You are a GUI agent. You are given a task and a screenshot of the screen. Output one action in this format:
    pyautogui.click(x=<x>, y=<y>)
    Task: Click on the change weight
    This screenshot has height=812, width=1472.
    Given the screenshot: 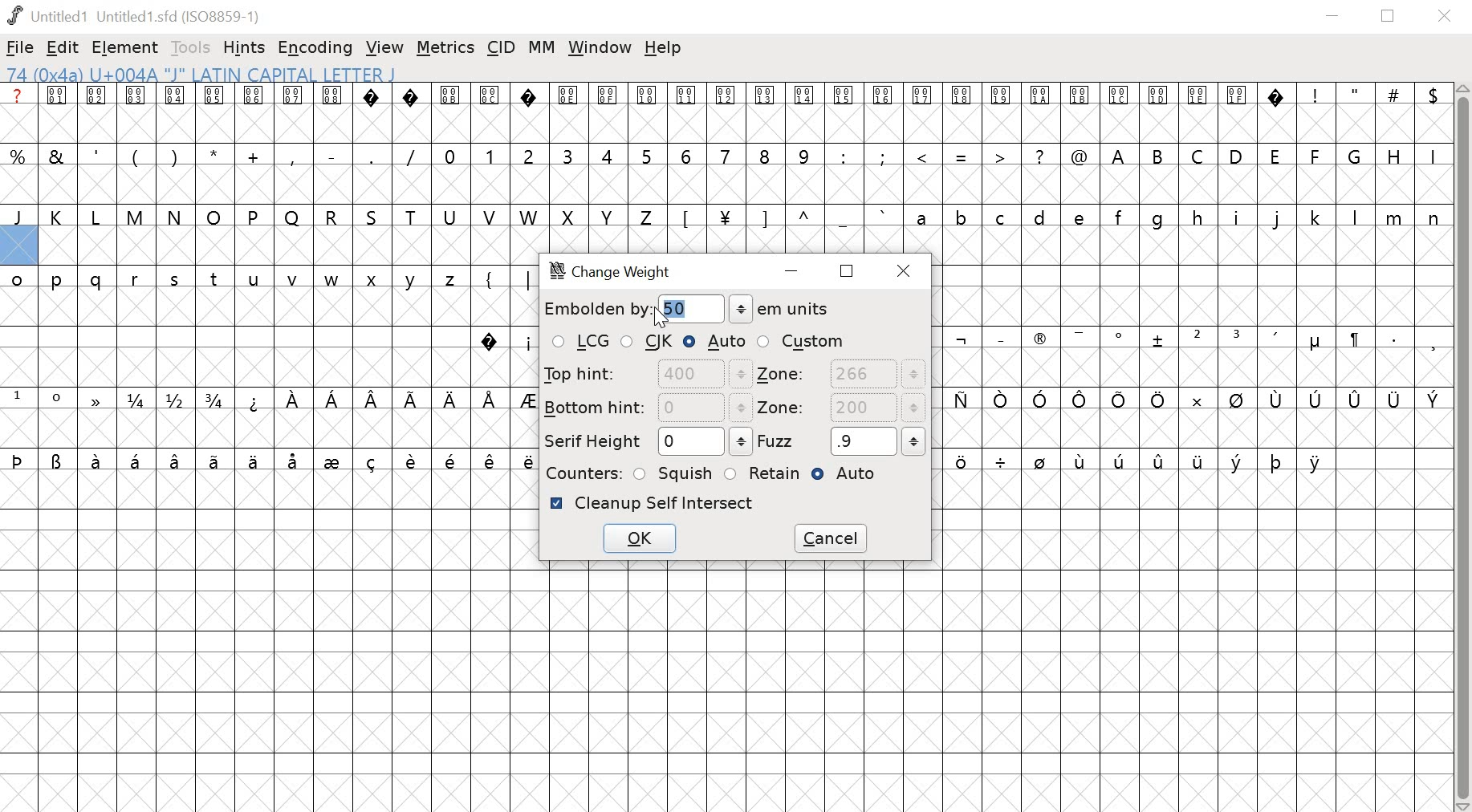 What is the action you would take?
    pyautogui.click(x=620, y=273)
    